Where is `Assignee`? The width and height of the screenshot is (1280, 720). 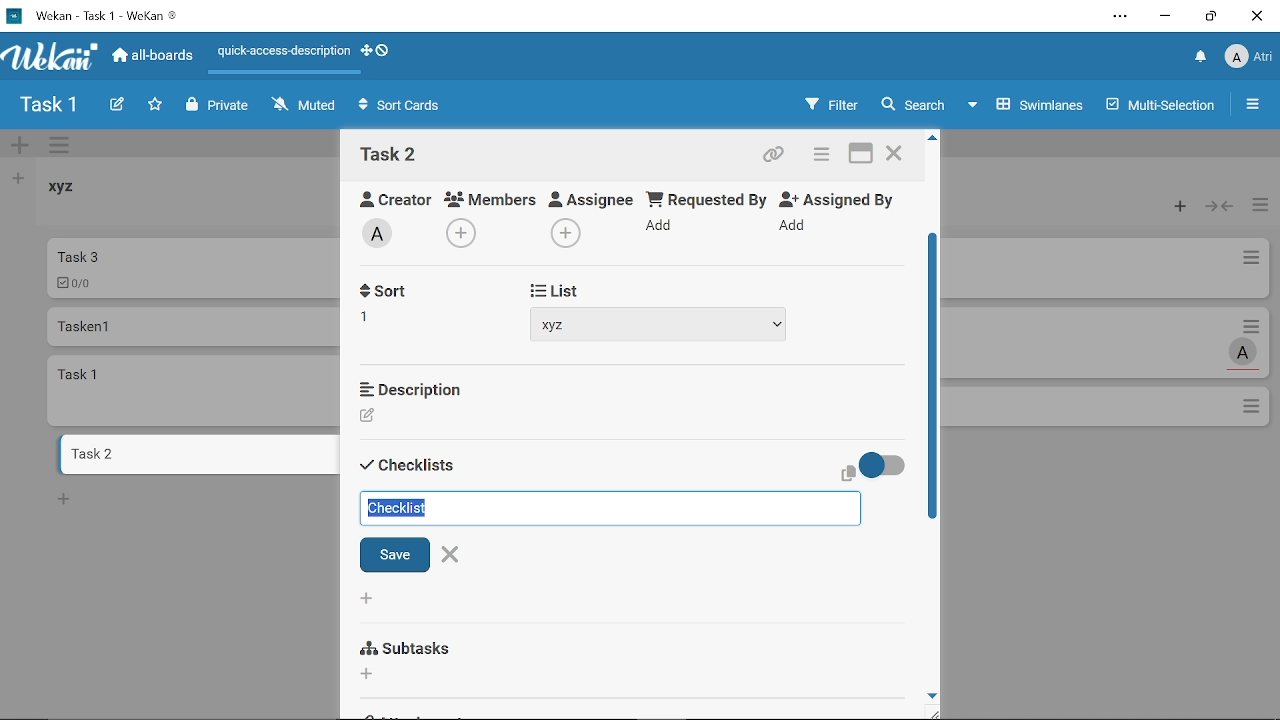
Assignee is located at coordinates (592, 197).